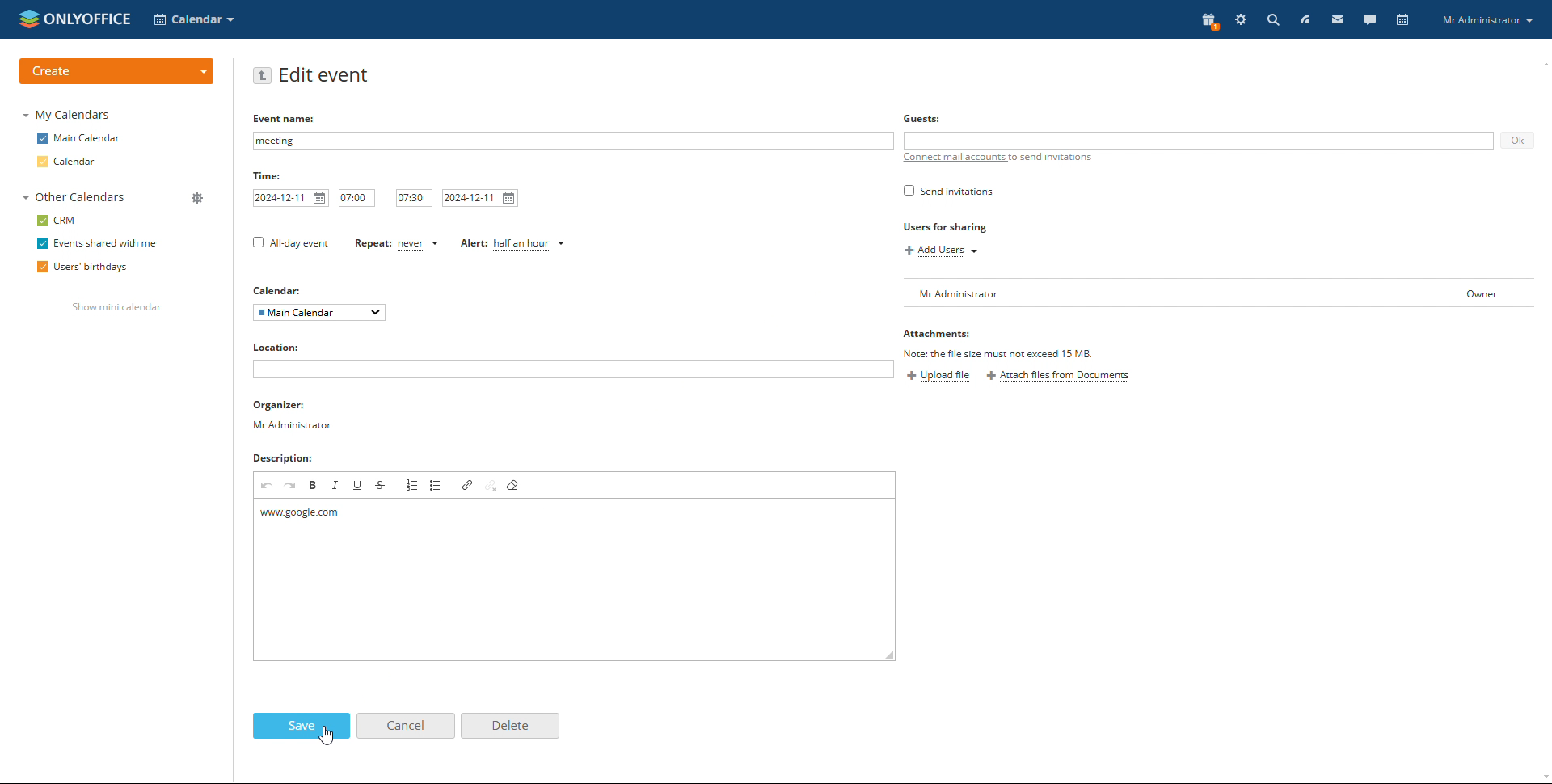 The height and width of the screenshot is (784, 1552). Describe the element at coordinates (335, 486) in the screenshot. I see `italic` at that location.